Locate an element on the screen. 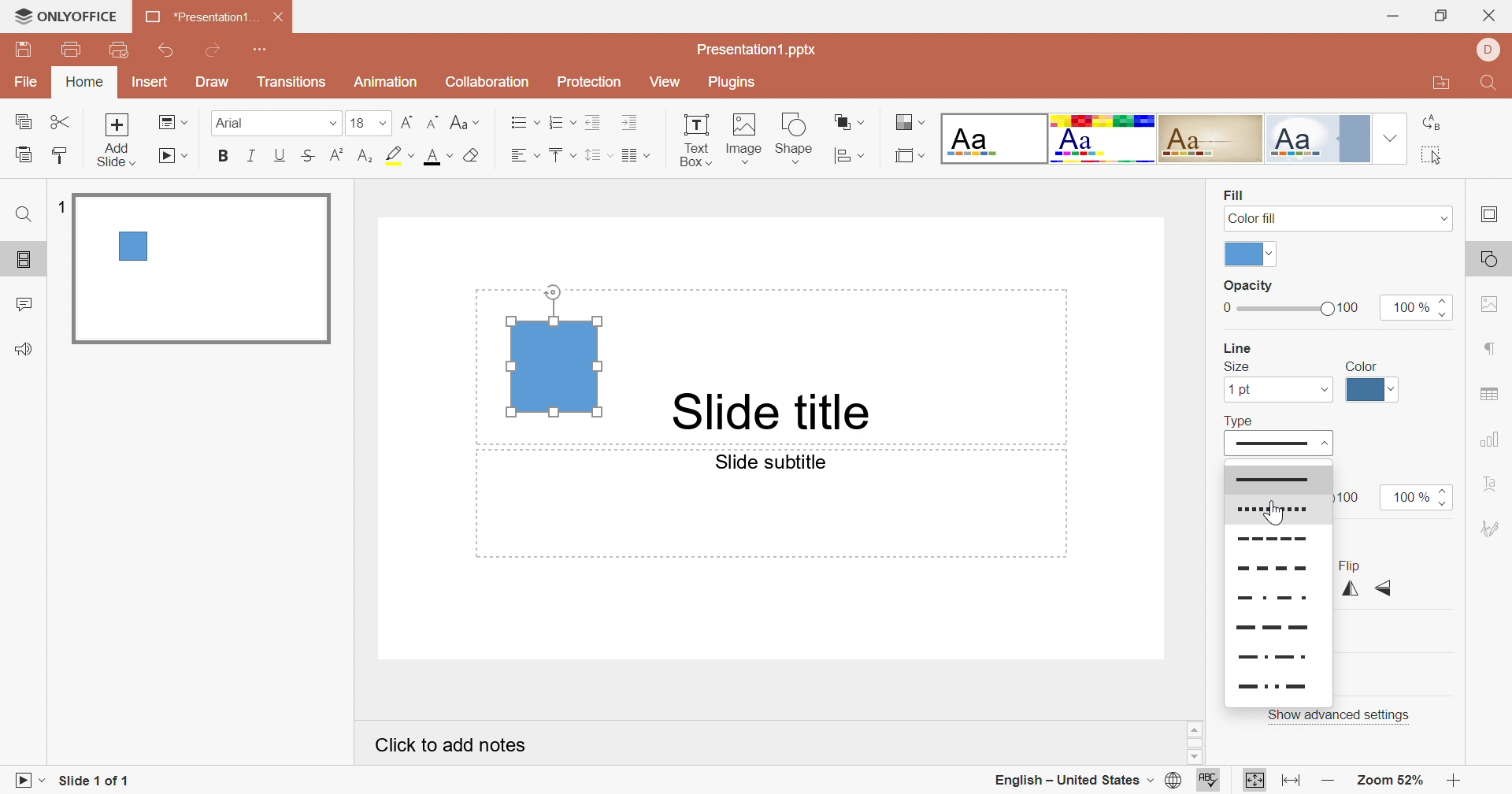 This screenshot has height=794, width=1512. Fill color is located at coordinates (469, 157).